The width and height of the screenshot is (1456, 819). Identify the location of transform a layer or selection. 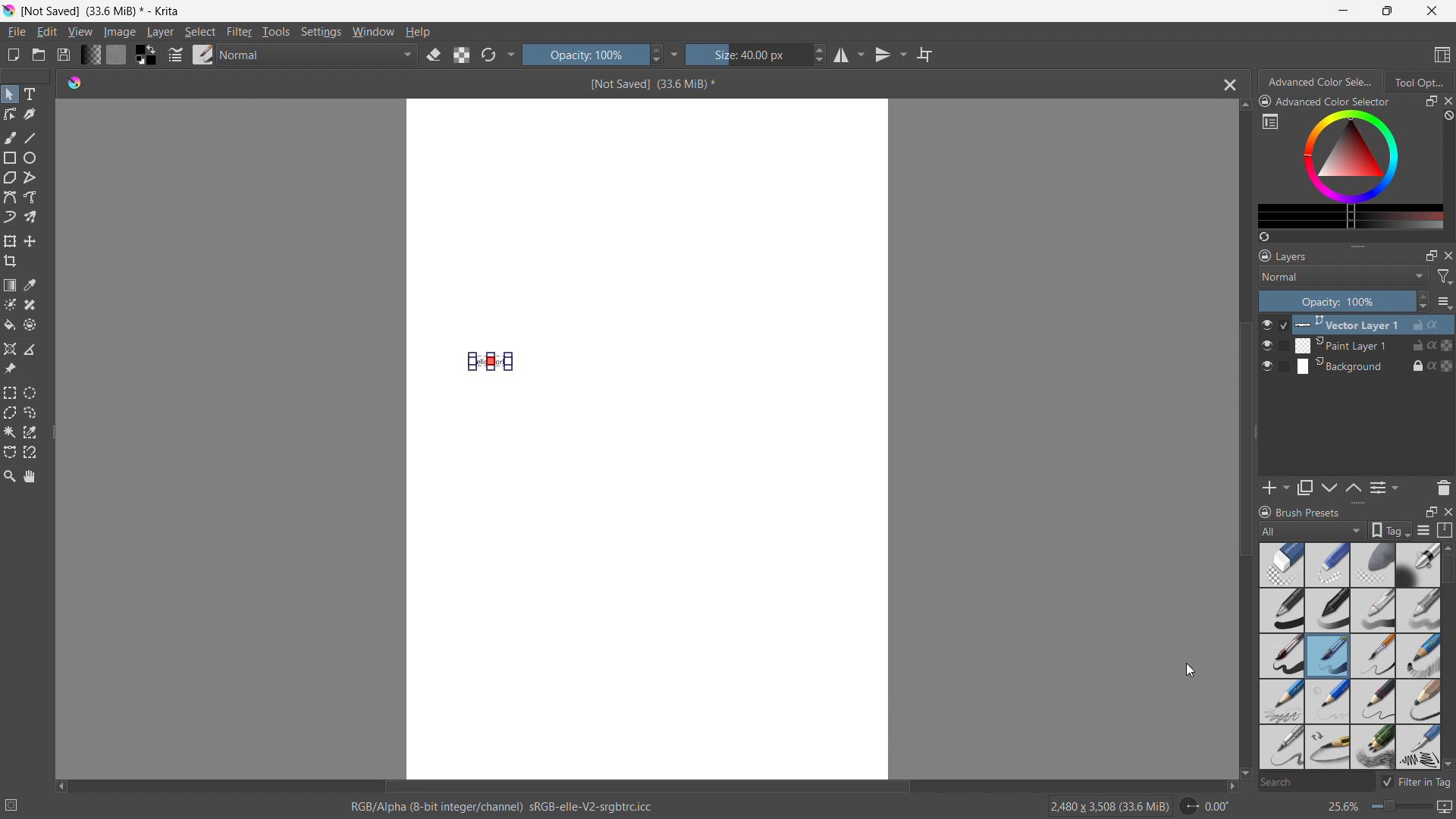
(10, 241).